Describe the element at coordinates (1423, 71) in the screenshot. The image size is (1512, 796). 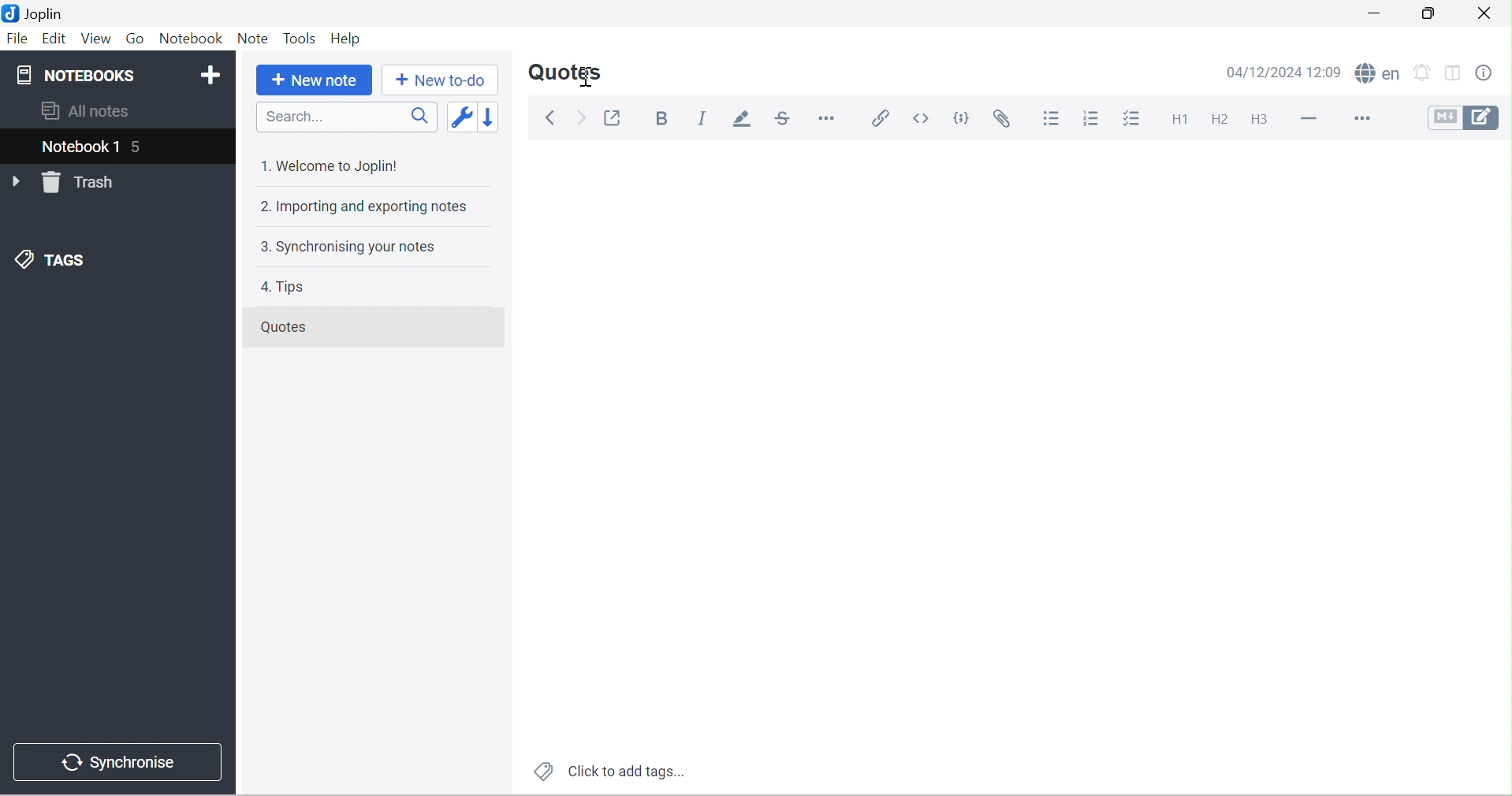
I see `set alarm` at that location.